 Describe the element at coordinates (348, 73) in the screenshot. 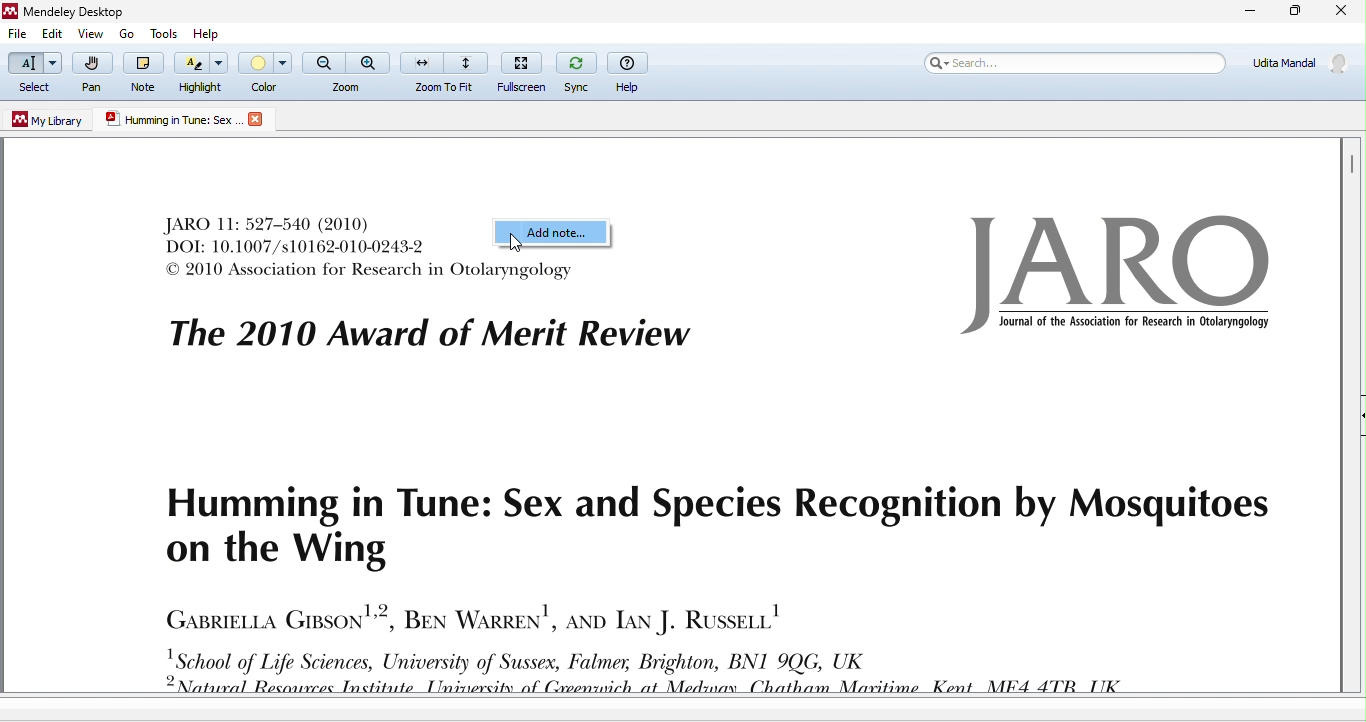

I see `zoom` at that location.